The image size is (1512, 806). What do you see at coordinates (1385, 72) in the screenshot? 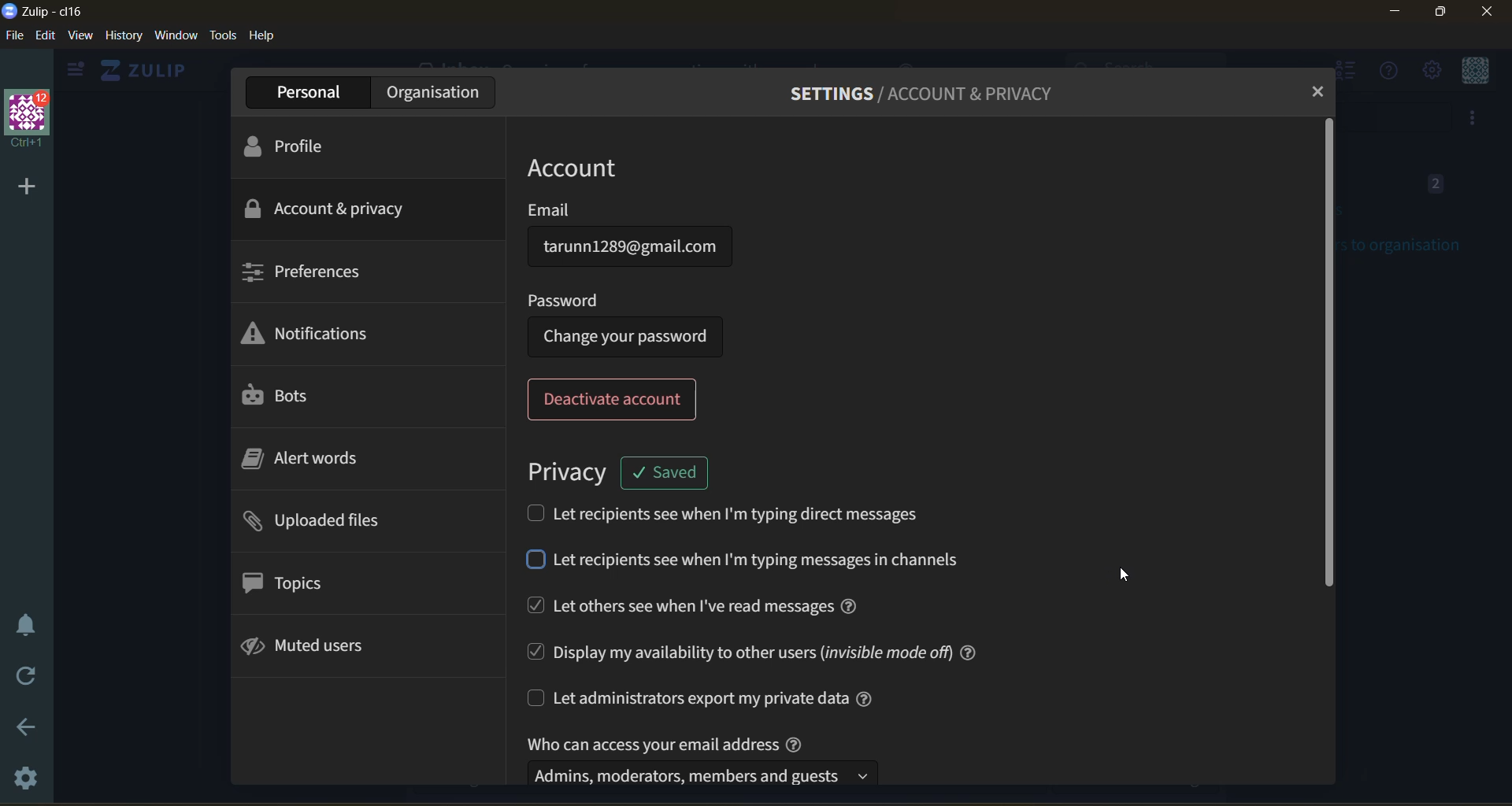
I see `help menu` at bounding box center [1385, 72].